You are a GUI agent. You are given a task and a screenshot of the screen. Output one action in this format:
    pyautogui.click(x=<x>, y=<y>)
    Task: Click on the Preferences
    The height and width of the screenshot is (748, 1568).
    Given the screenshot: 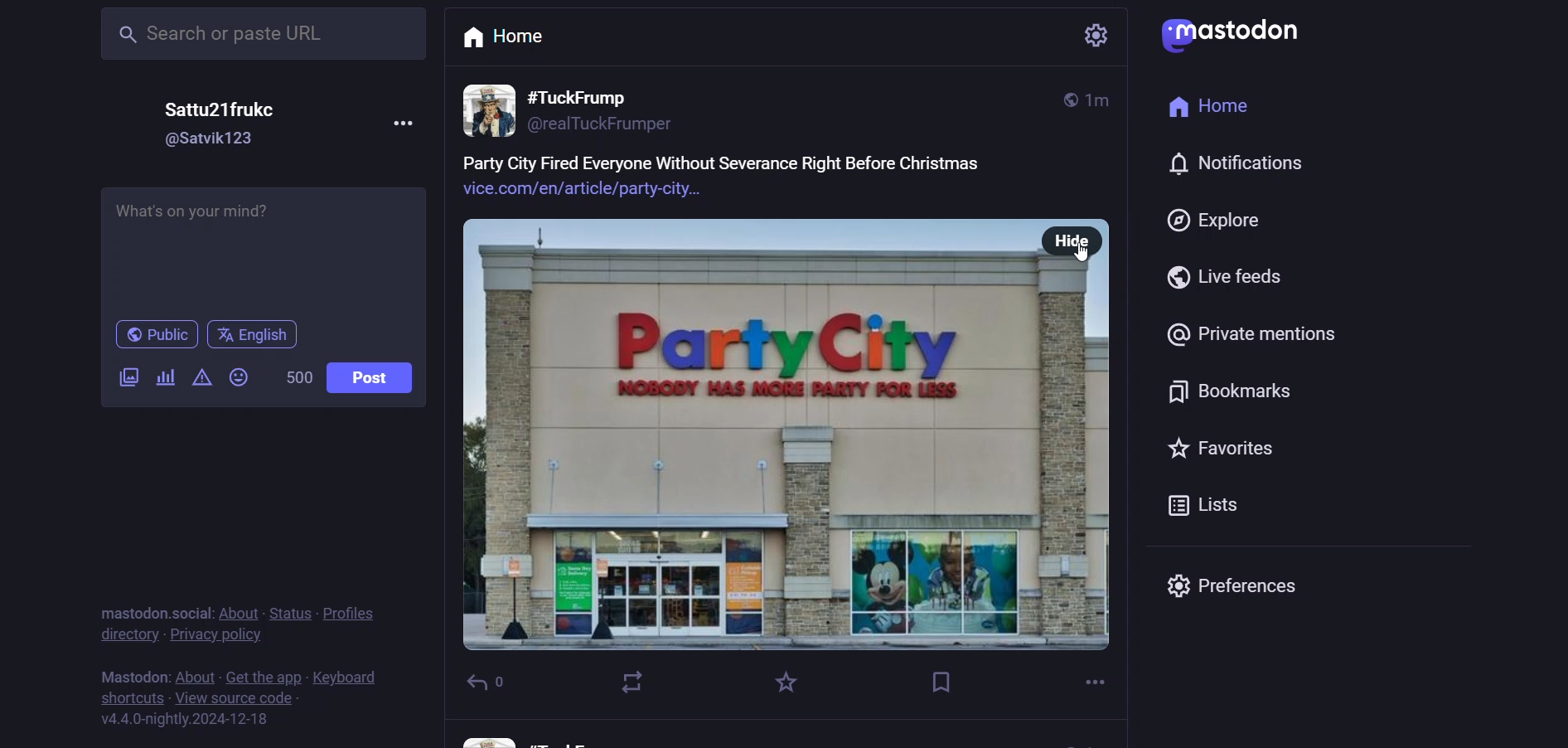 What is the action you would take?
    pyautogui.click(x=1233, y=591)
    